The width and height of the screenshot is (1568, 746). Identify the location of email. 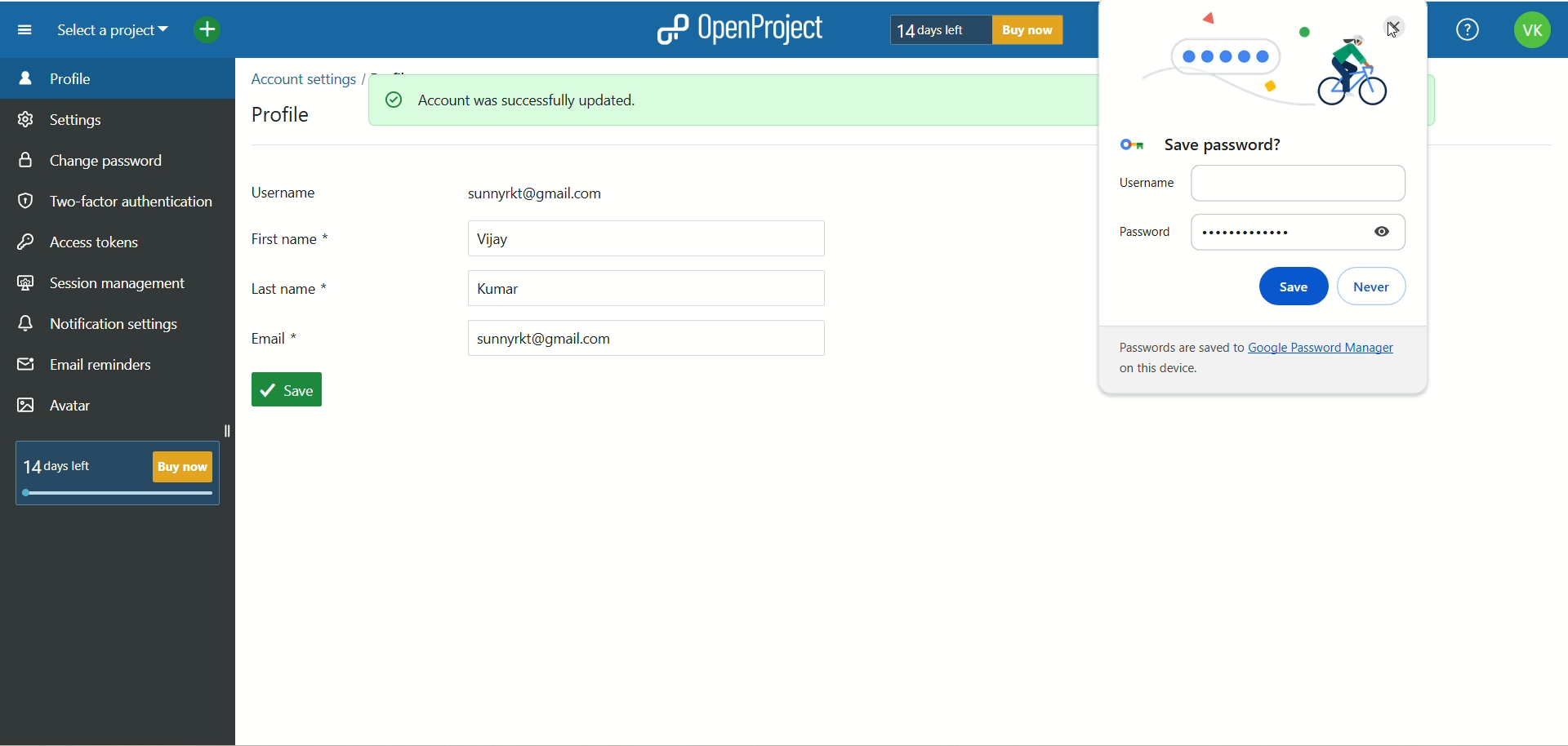
(533, 338).